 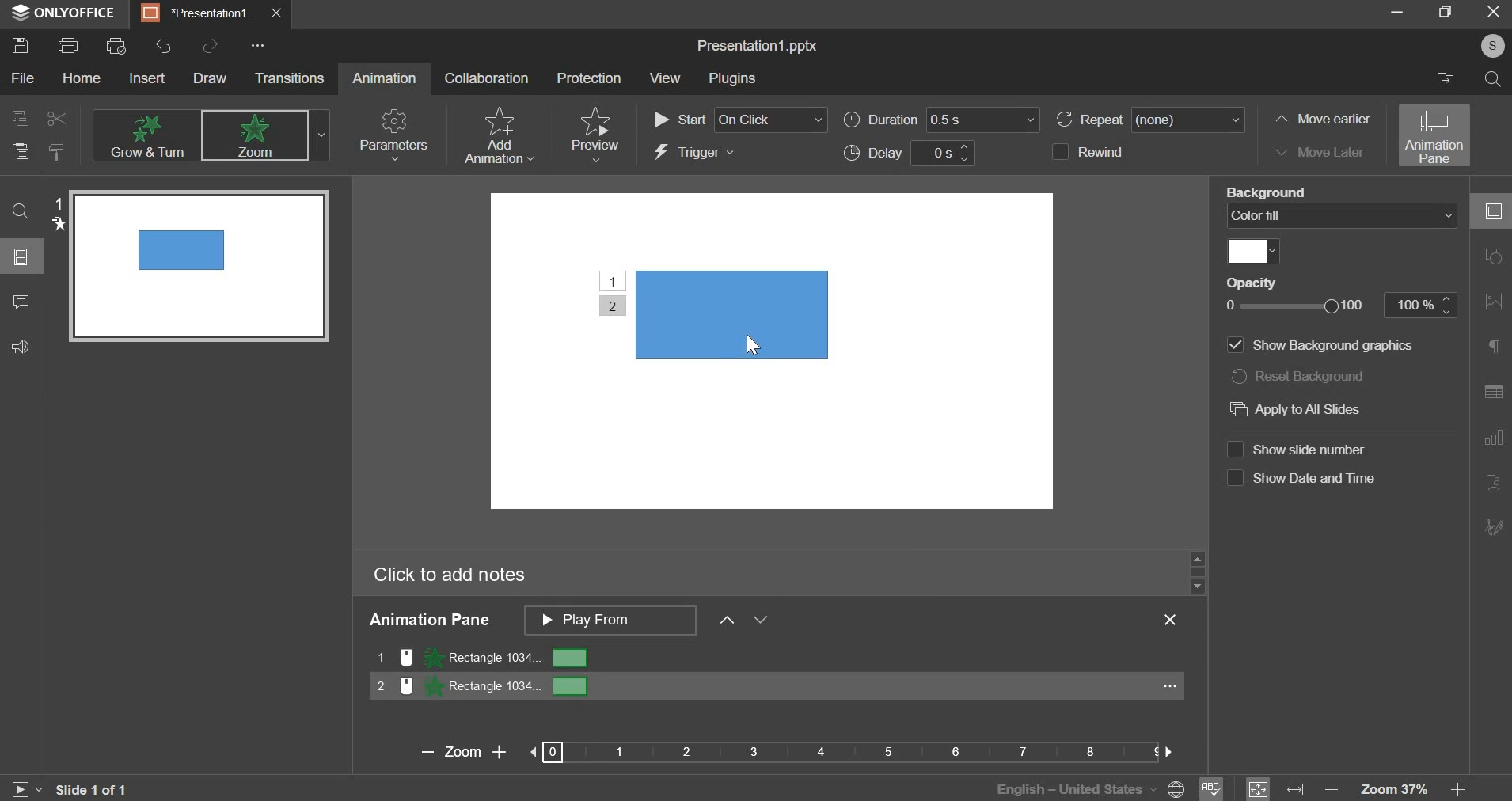 I want to click on Show slide number, so click(x=1302, y=447).